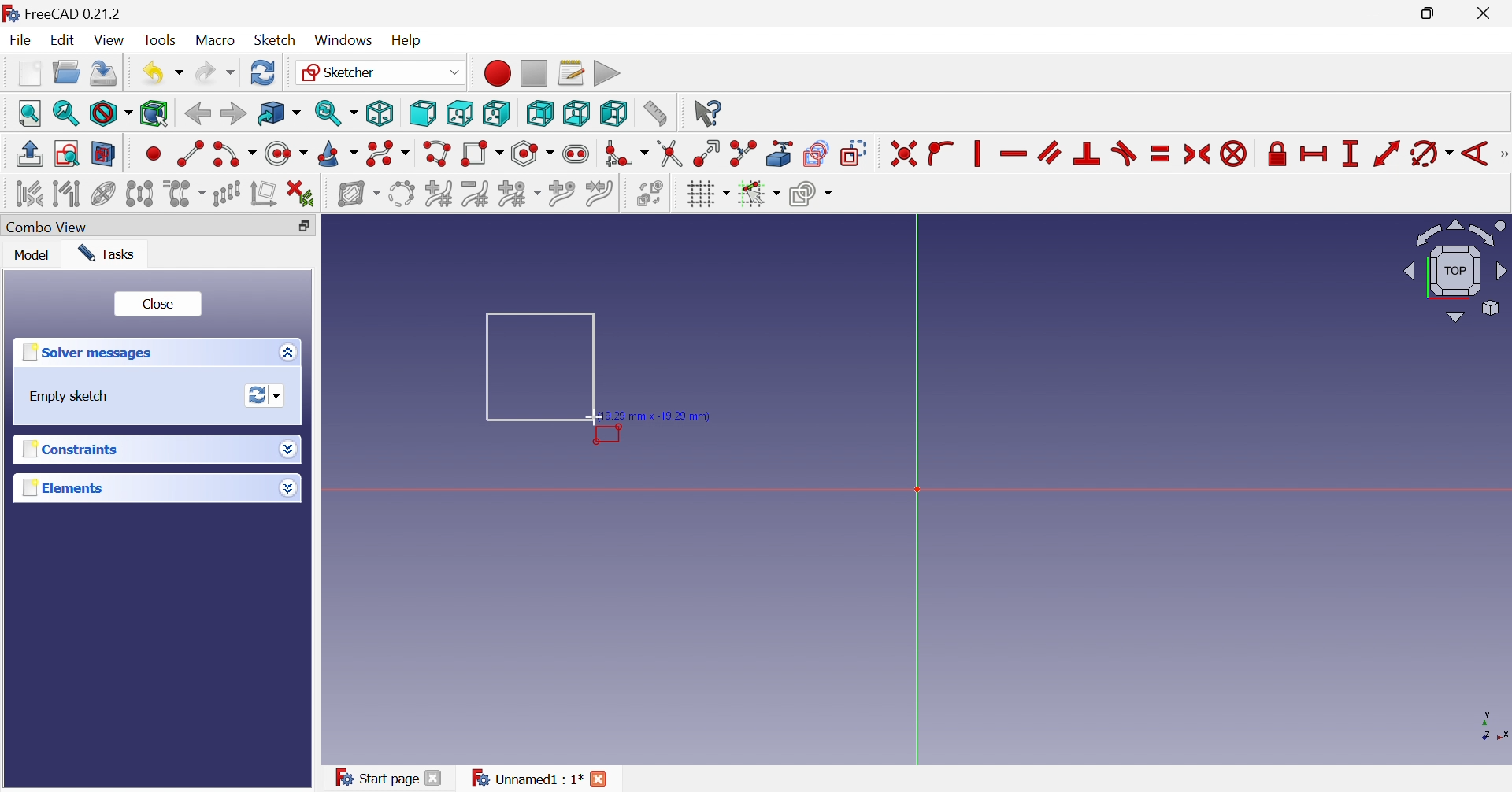 The image size is (1512, 792). I want to click on Close, so click(1487, 14).